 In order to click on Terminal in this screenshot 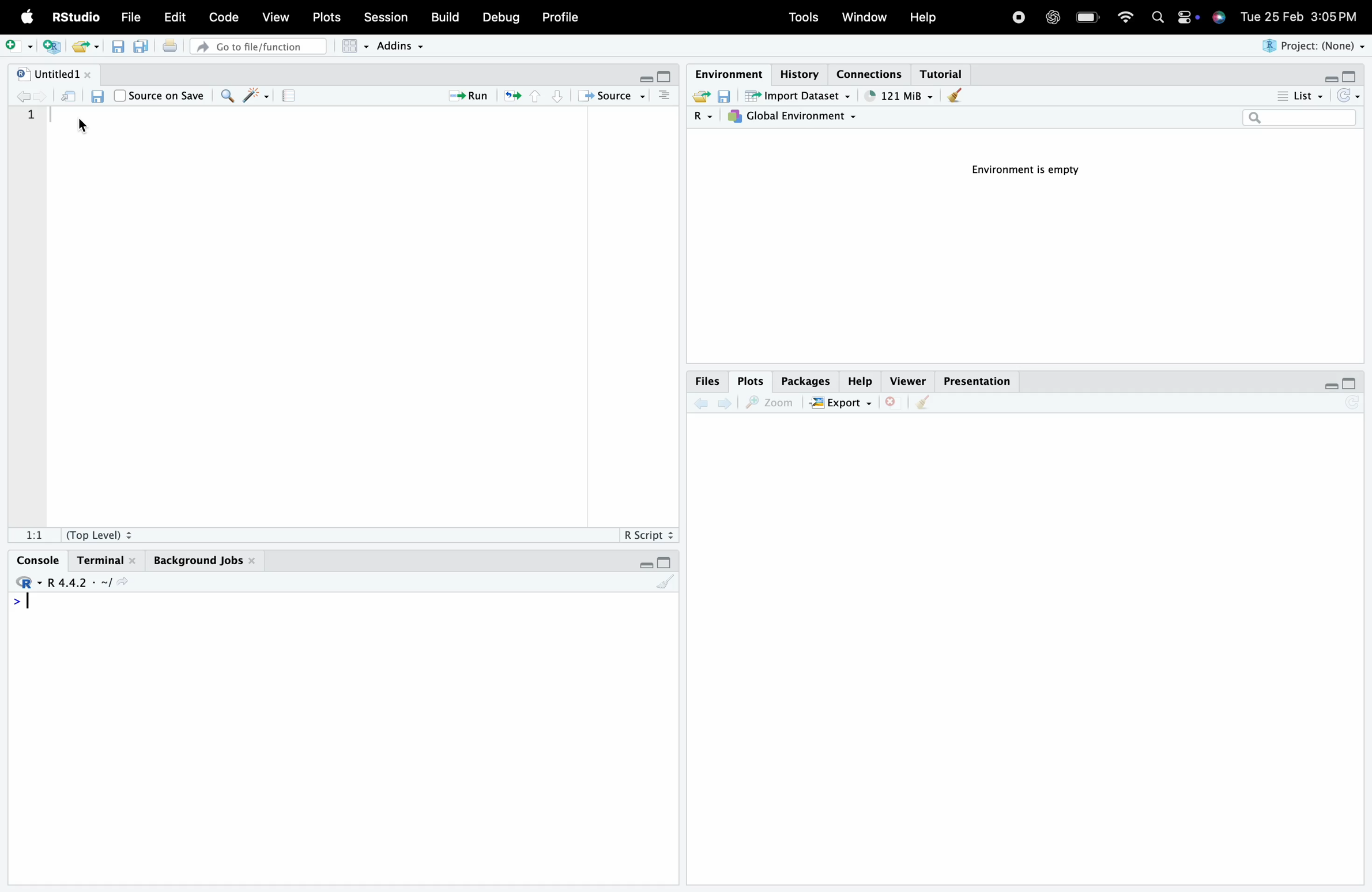, I will do `click(107, 559)`.